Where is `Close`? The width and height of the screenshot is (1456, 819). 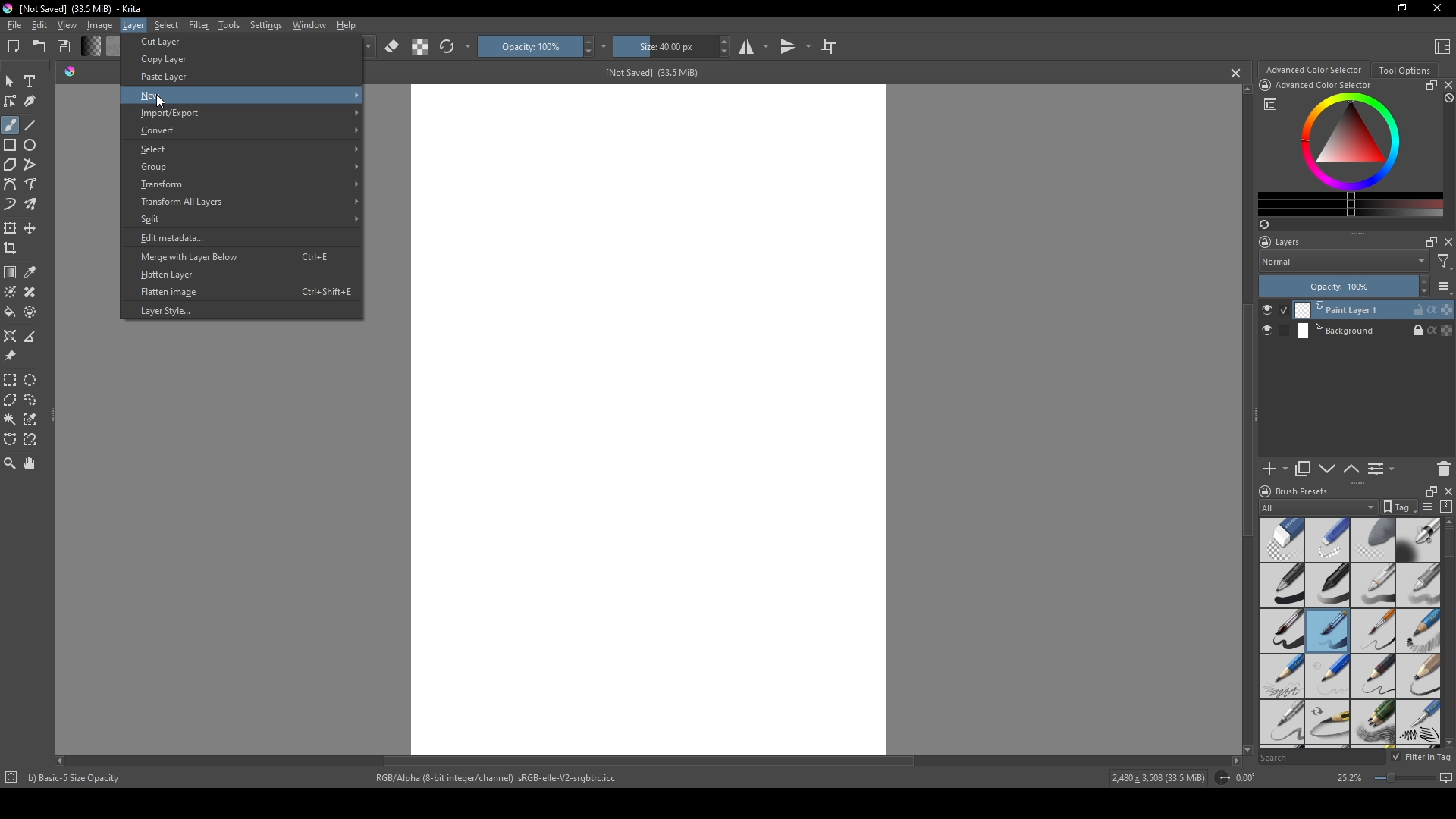 Close is located at coordinates (1438, 8).